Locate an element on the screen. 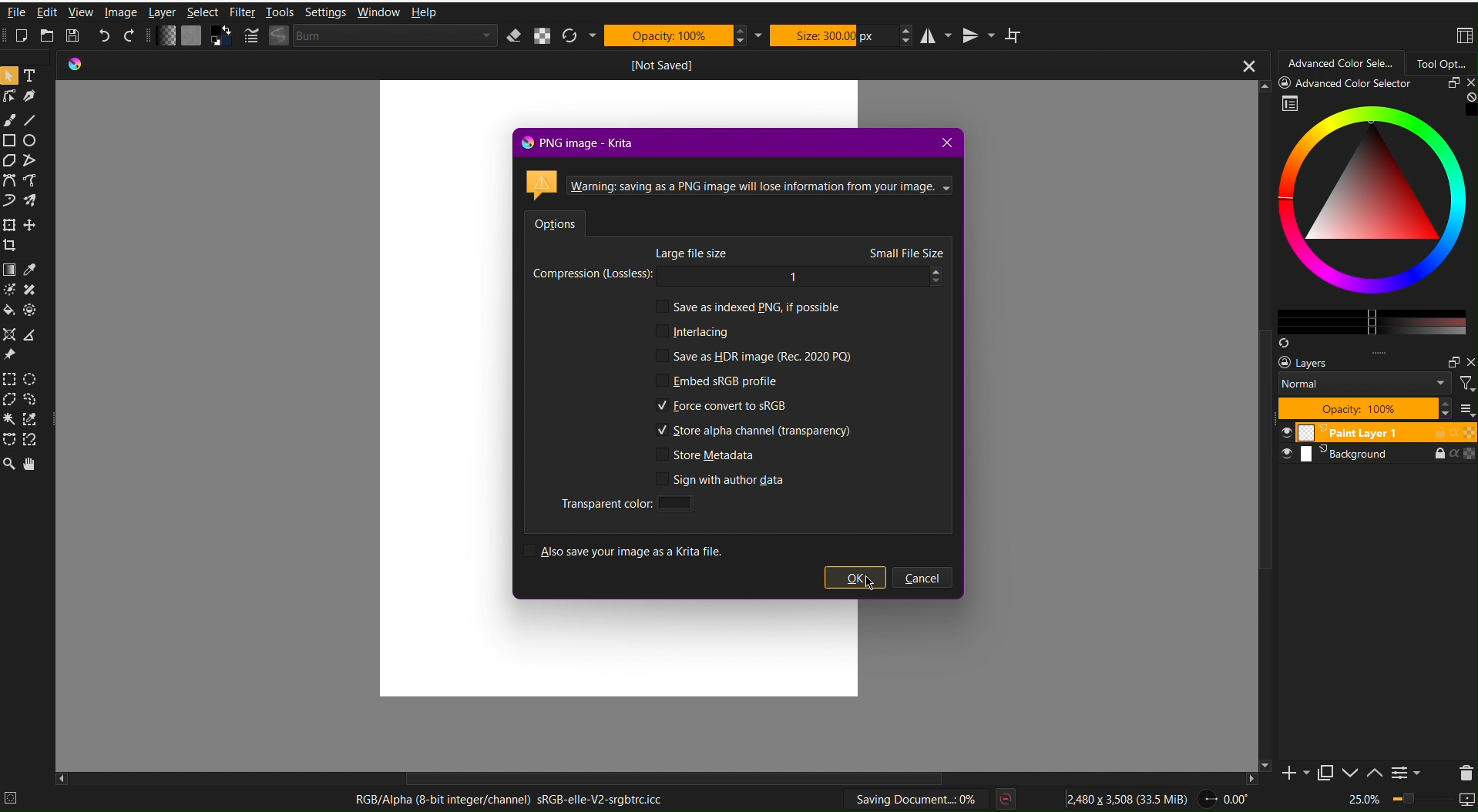 Image resolution: width=1478 pixels, height=812 pixels. Cancel is located at coordinates (924, 578).